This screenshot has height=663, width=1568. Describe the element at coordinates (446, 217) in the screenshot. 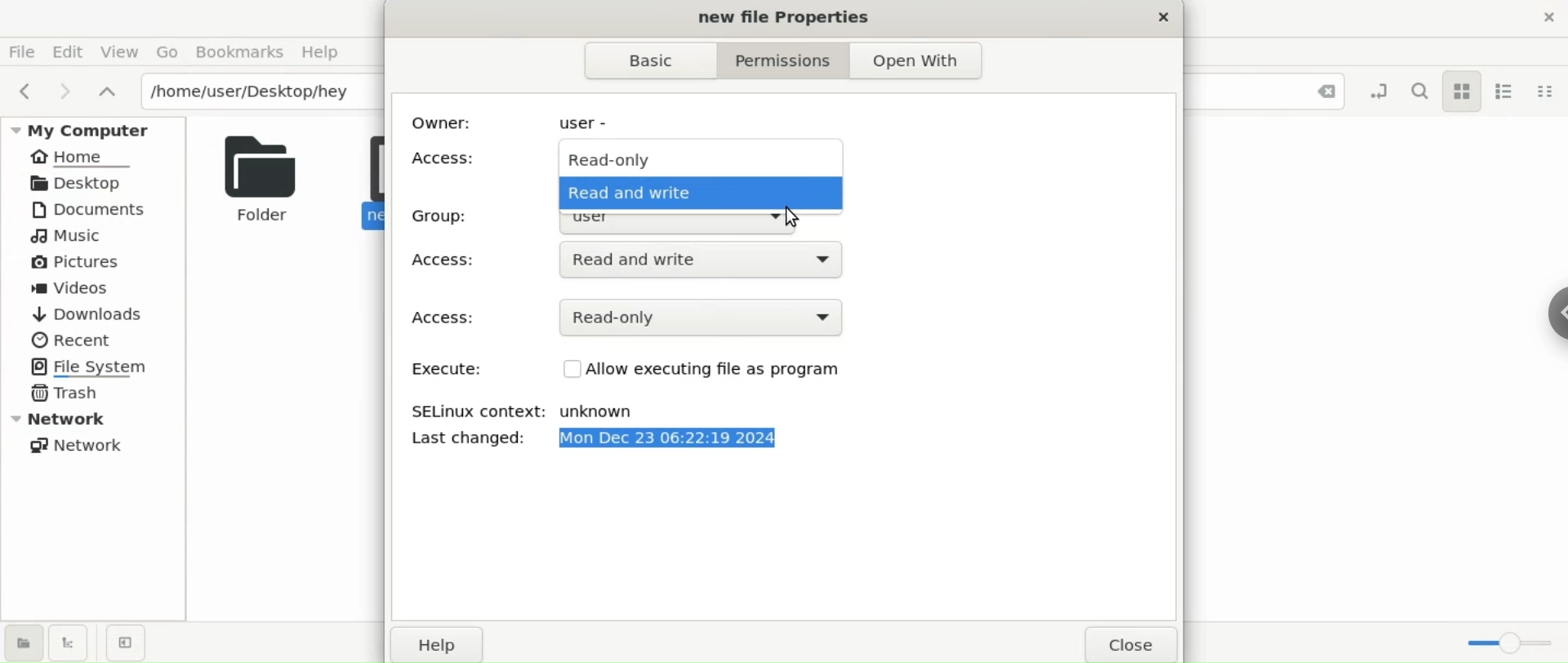

I see `Group:` at that location.